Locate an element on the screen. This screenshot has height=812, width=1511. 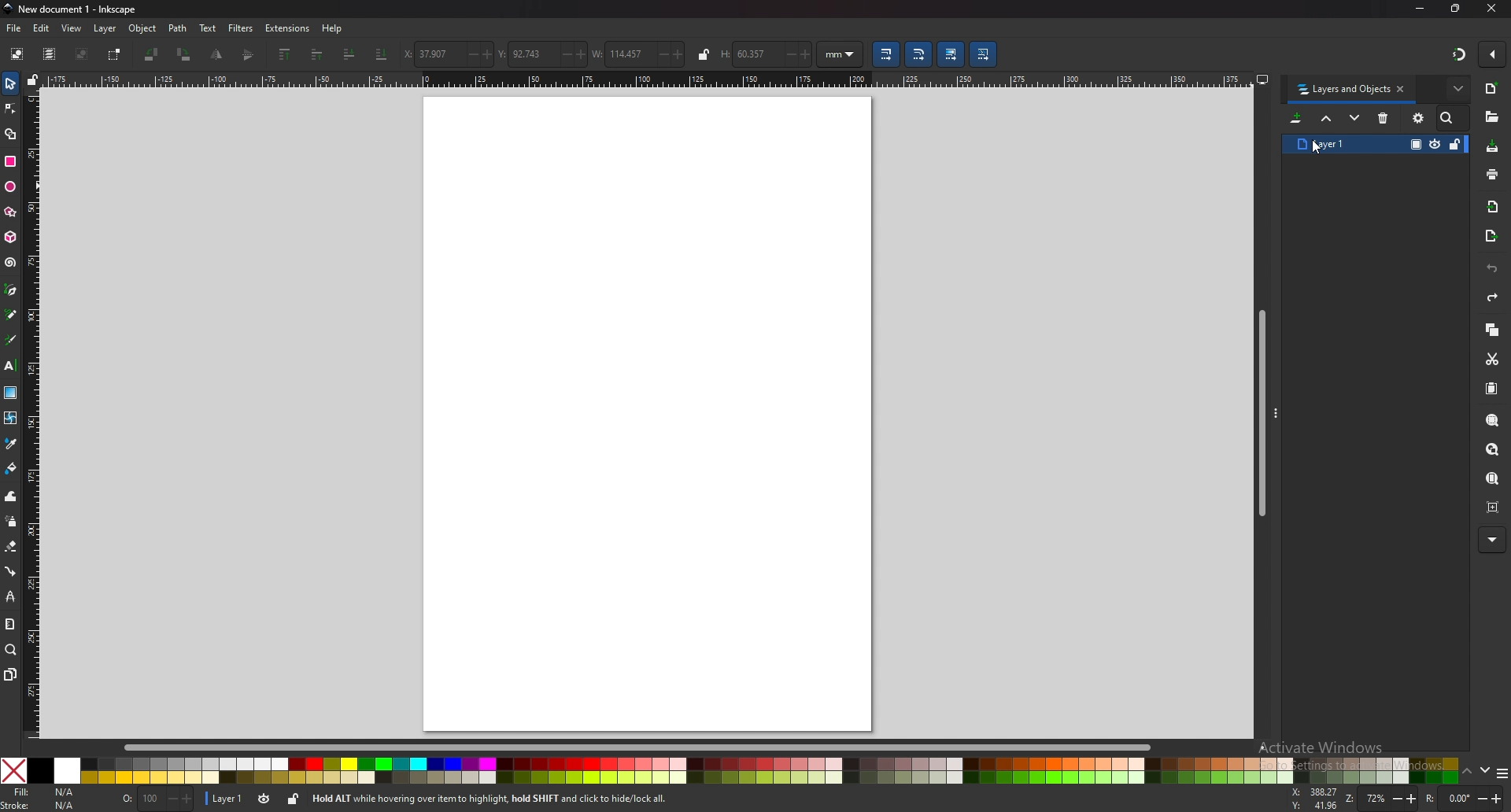
lock is located at coordinates (704, 54).